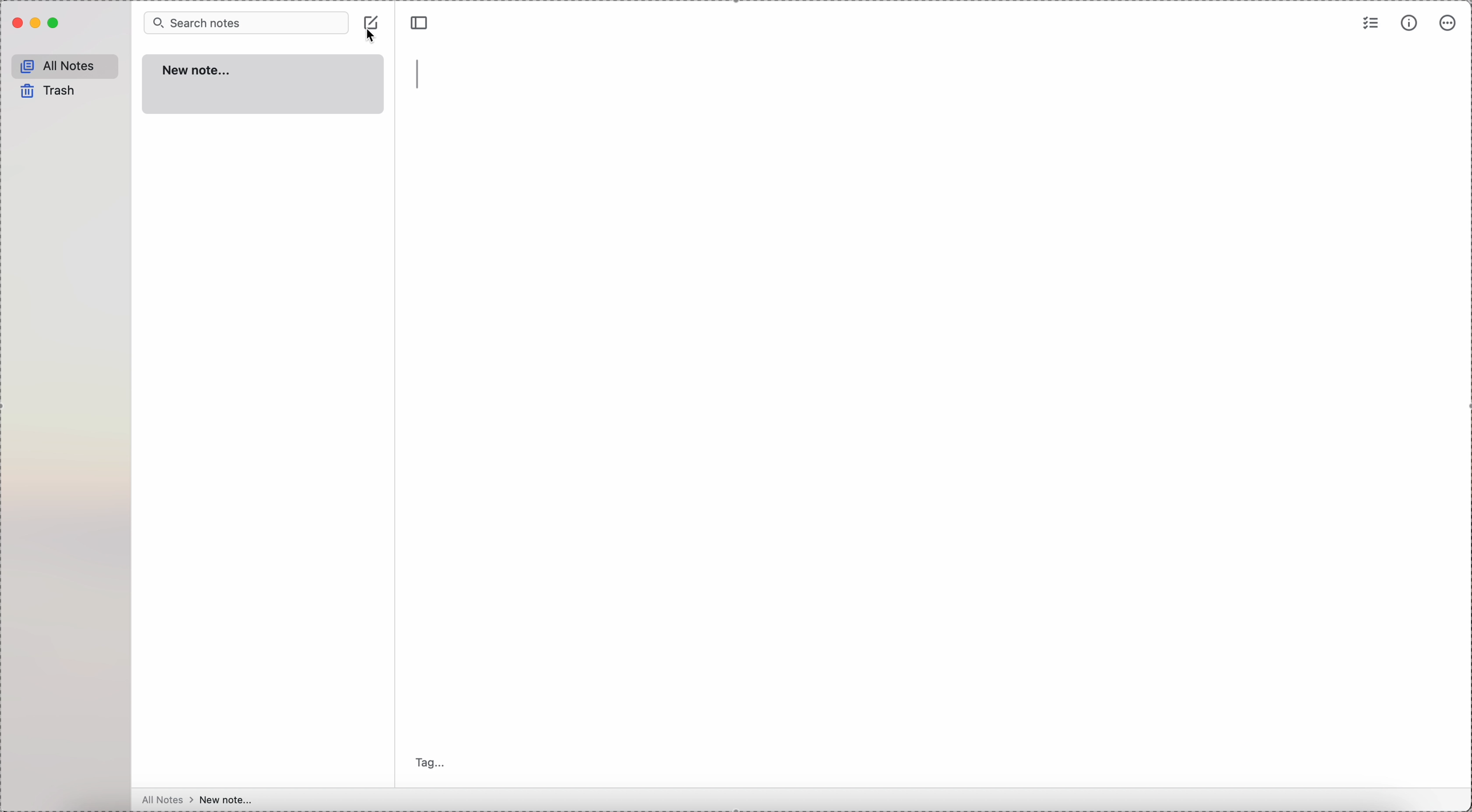  Describe the element at coordinates (419, 75) in the screenshot. I see `type` at that location.